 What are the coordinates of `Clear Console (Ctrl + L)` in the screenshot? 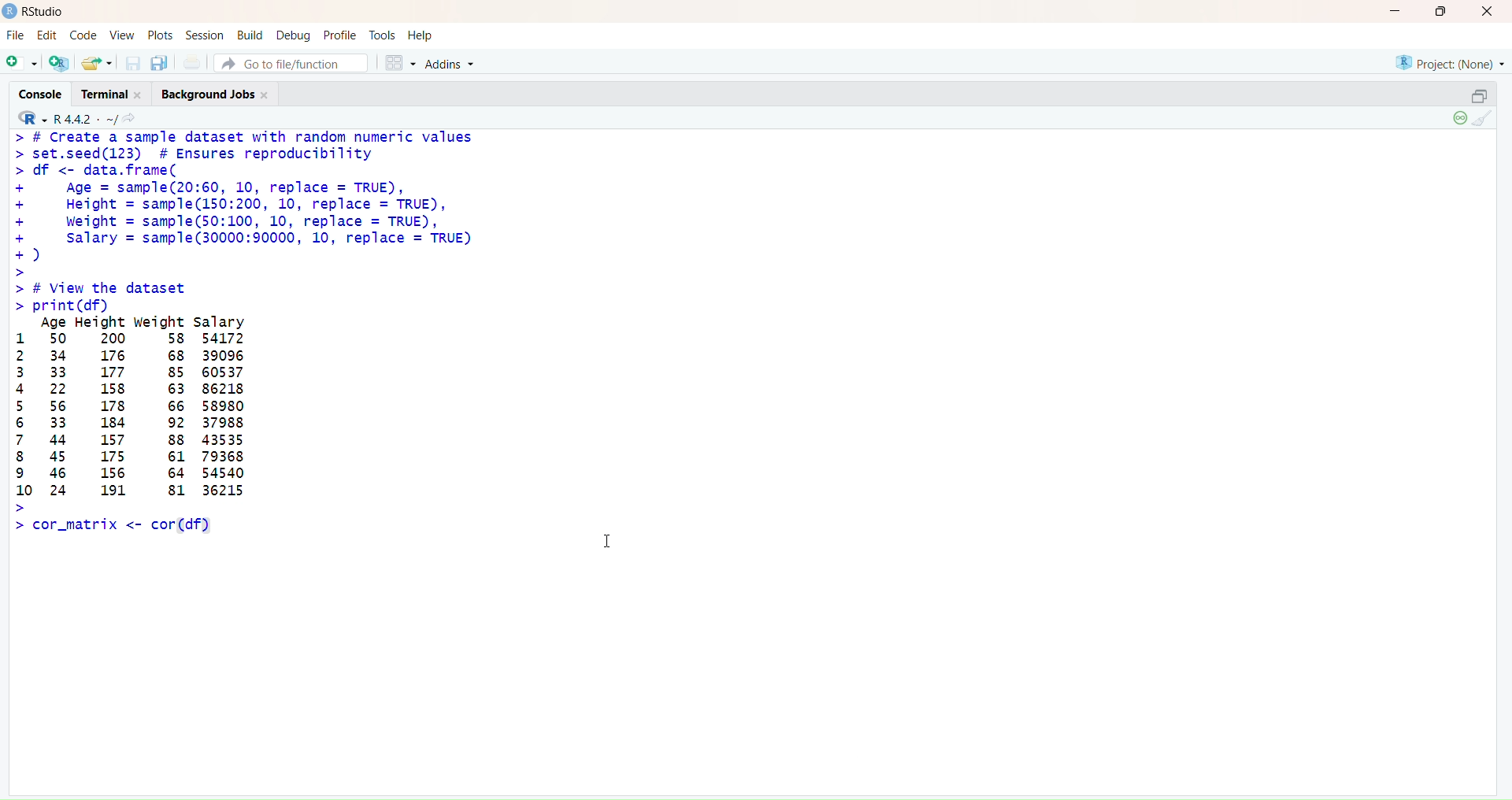 It's located at (1485, 120).